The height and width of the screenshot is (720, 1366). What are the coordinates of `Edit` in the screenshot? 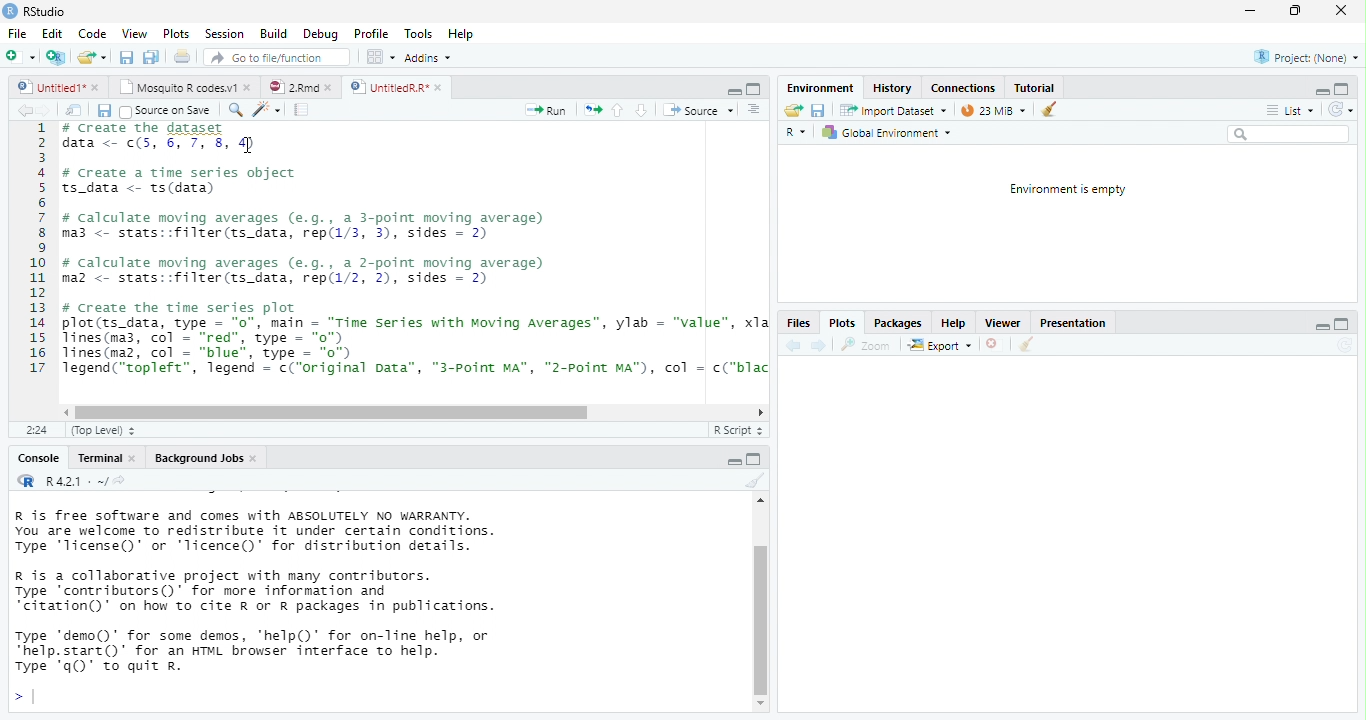 It's located at (52, 33).